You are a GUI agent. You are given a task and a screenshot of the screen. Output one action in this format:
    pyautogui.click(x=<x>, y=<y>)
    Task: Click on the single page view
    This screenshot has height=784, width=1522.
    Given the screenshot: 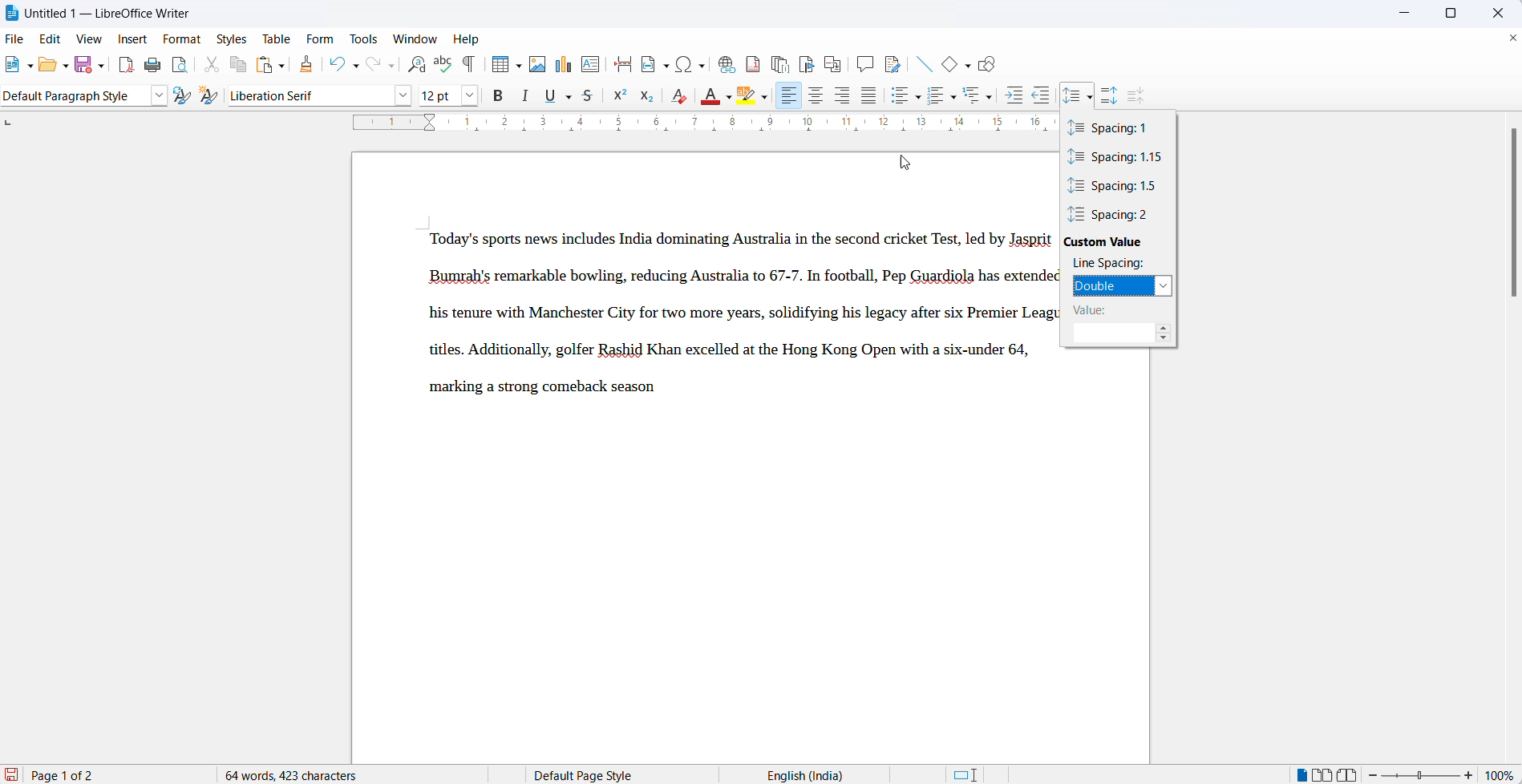 What is the action you would take?
    pyautogui.click(x=1298, y=774)
    